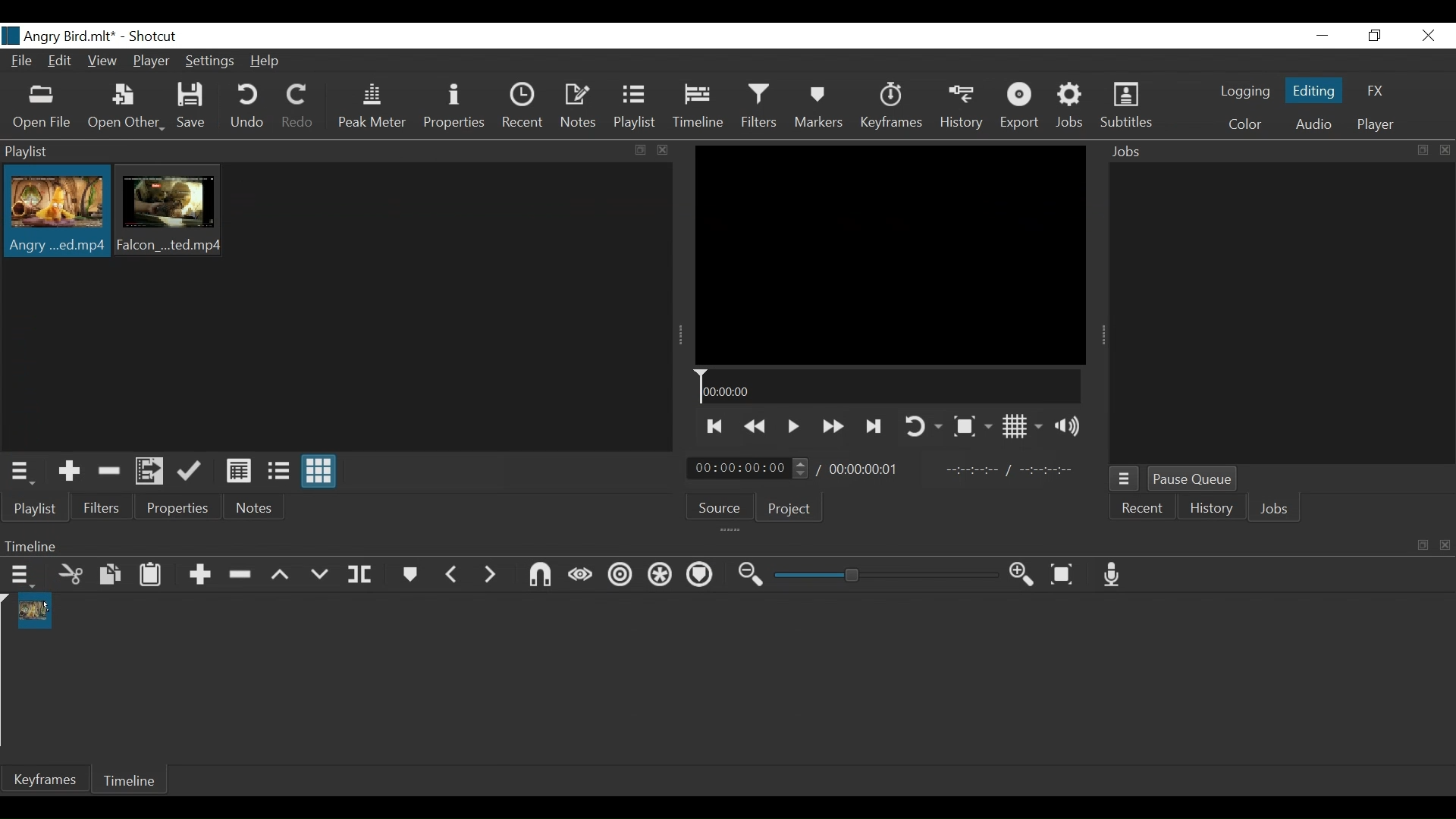 The image size is (1456, 819). Describe the element at coordinates (152, 61) in the screenshot. I see `Player` at that location.